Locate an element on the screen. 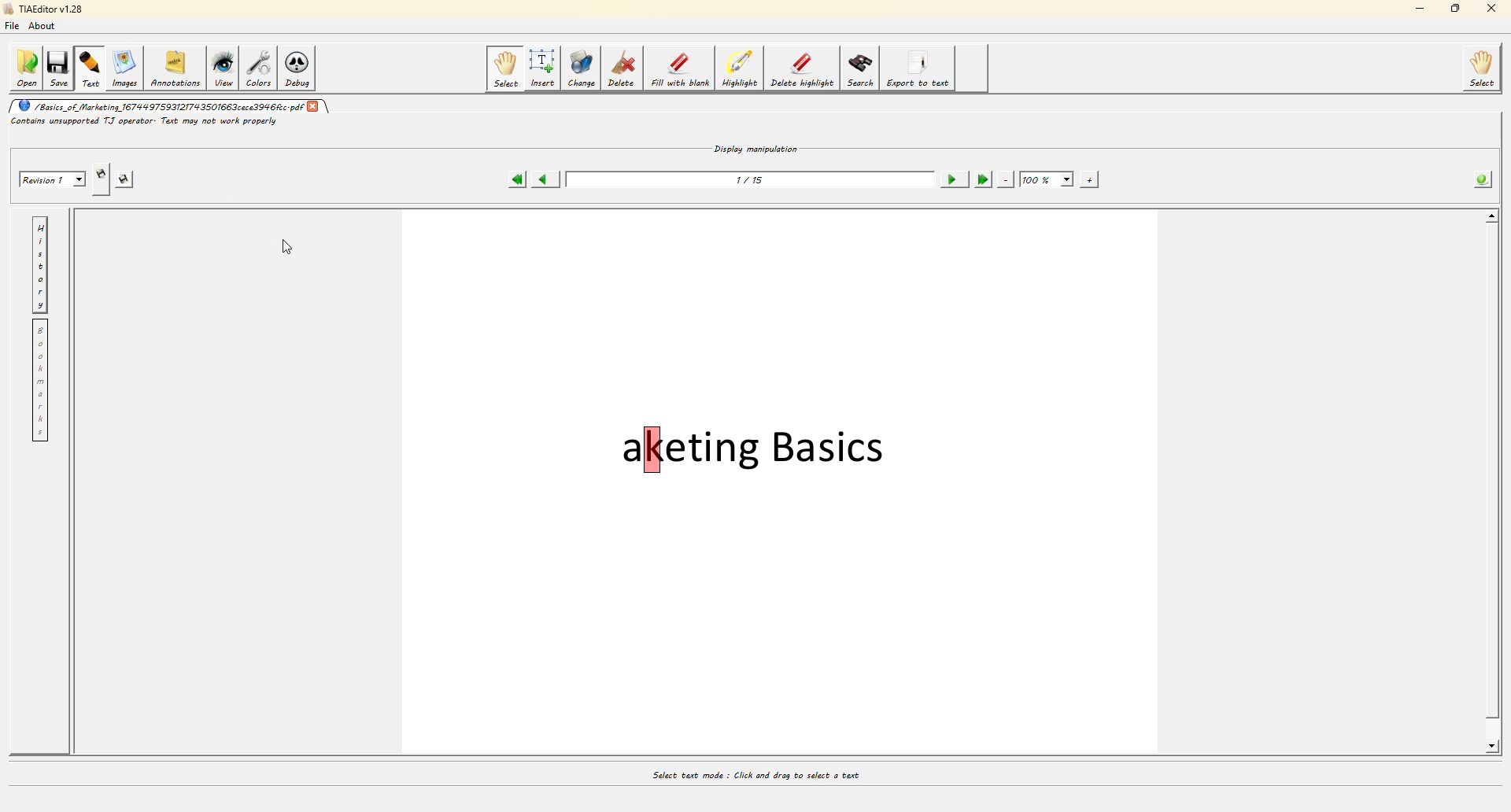  debug is located at coordinates (301, 68).